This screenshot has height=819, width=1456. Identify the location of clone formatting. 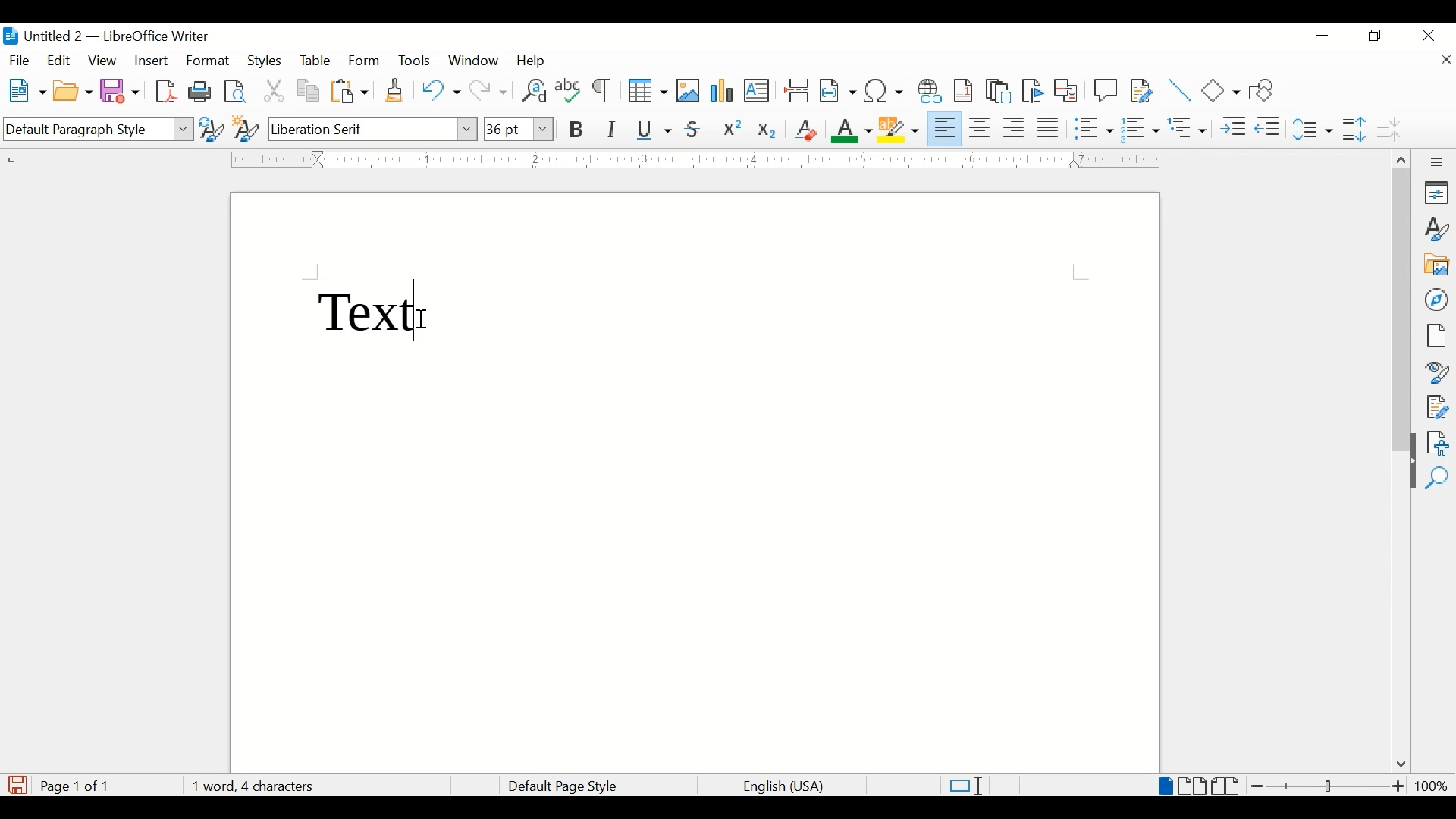
(396, 91).